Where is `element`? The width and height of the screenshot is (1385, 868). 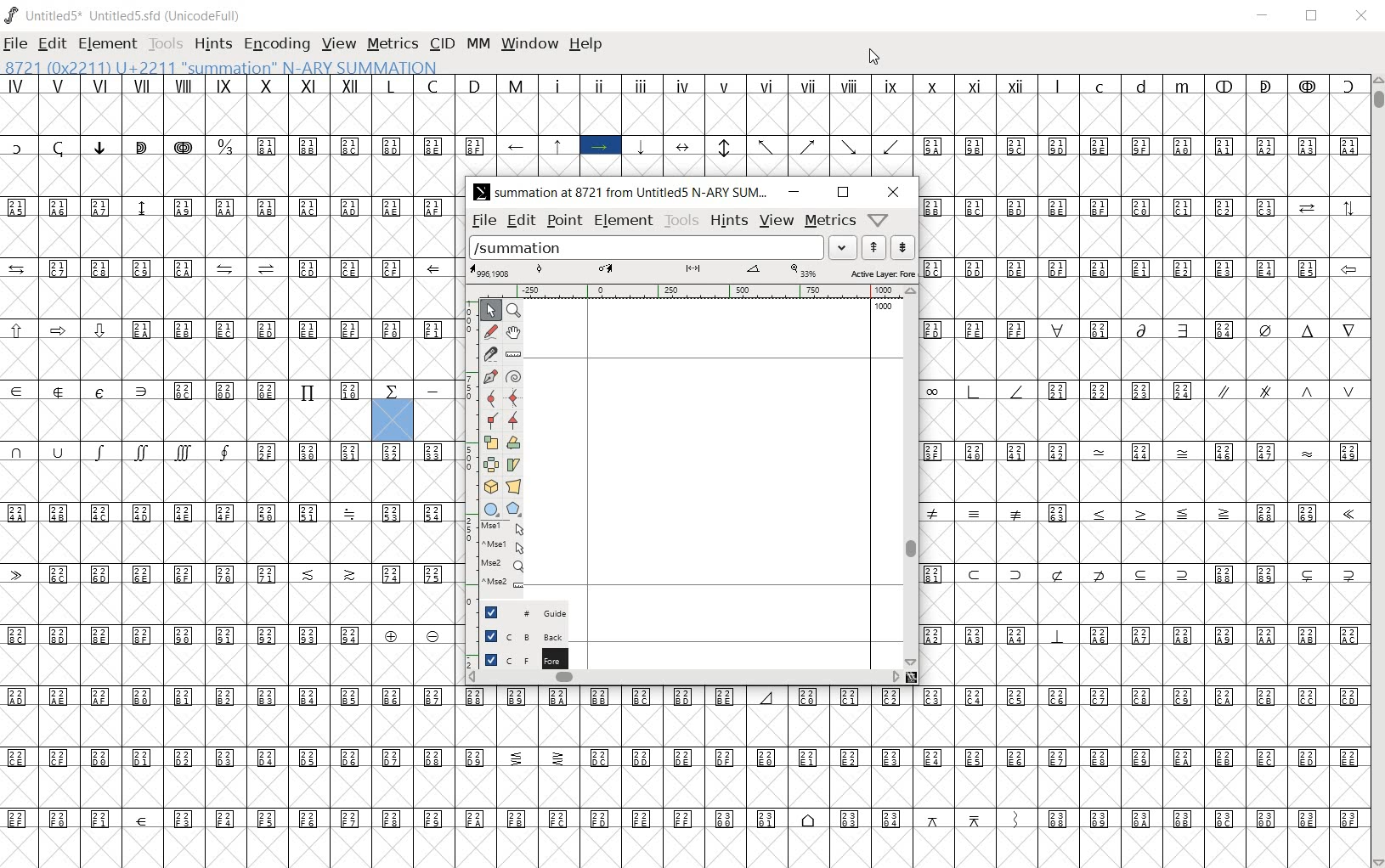 element is located at coordinates (623, 221).